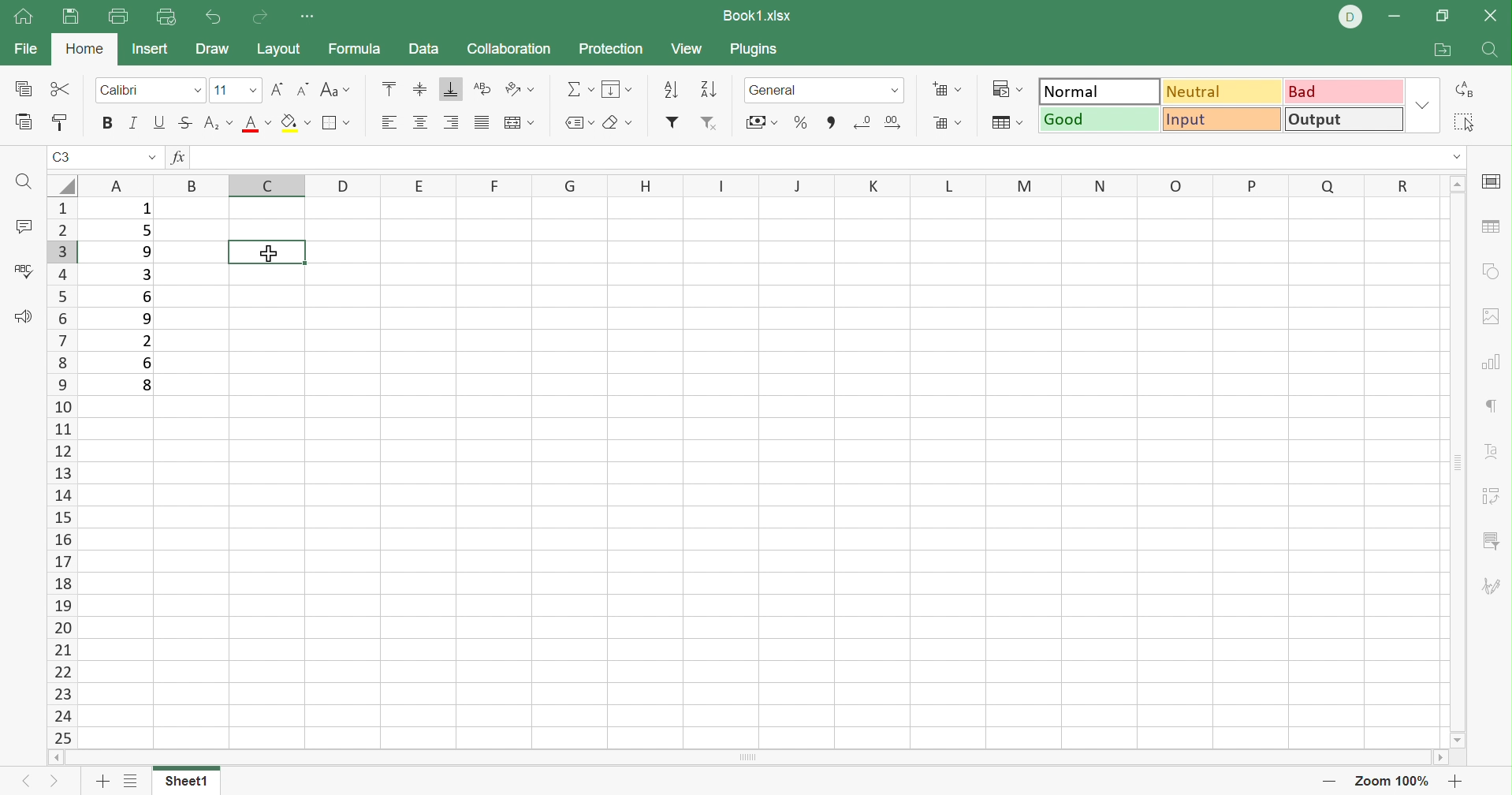 The image size is (1512, 795). I want to click on Find, so click(1492, 52).